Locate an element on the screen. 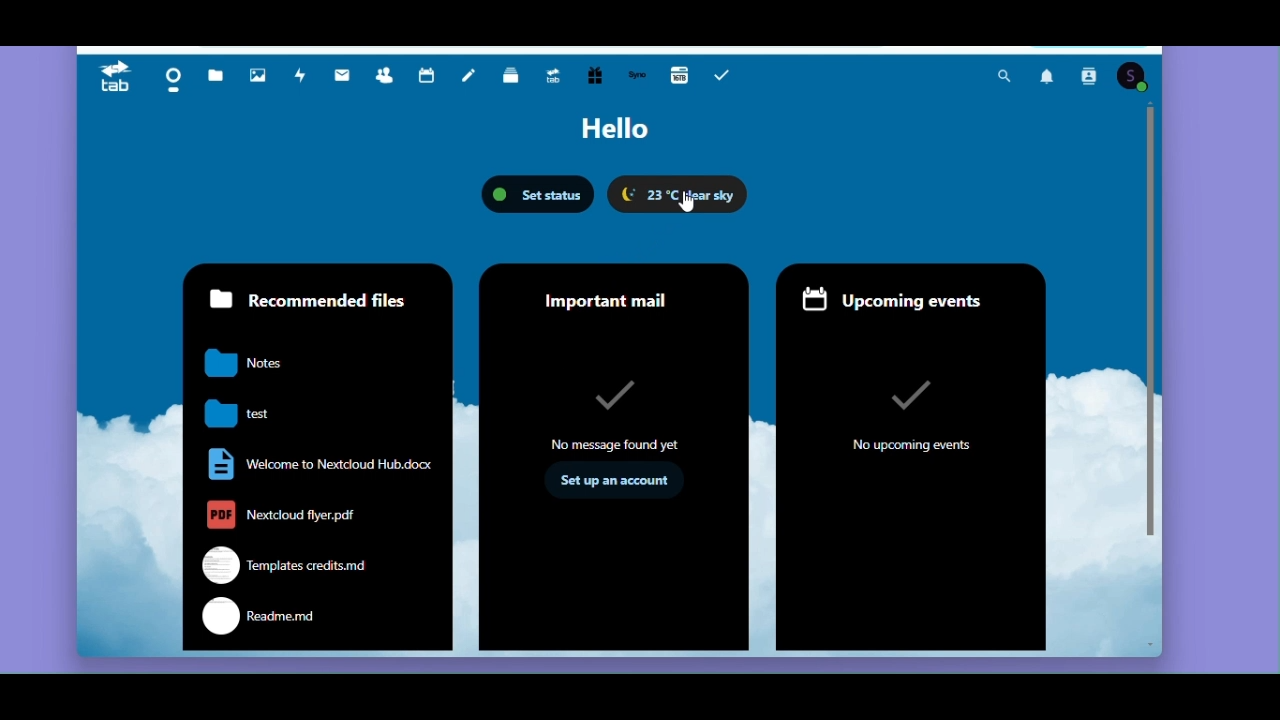  Account icon is located at coordinates (1133, 77).